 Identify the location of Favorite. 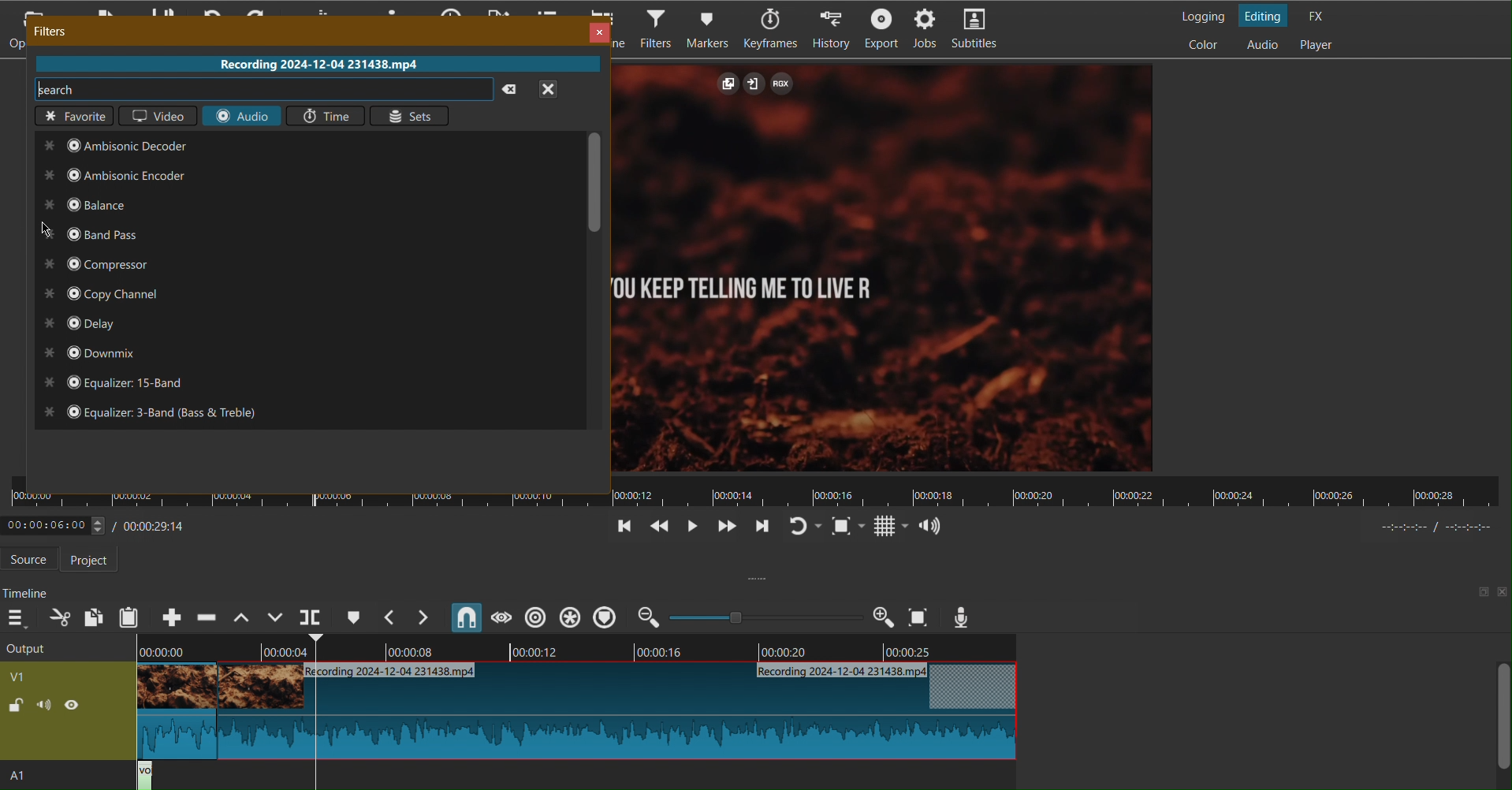
(72, 117).